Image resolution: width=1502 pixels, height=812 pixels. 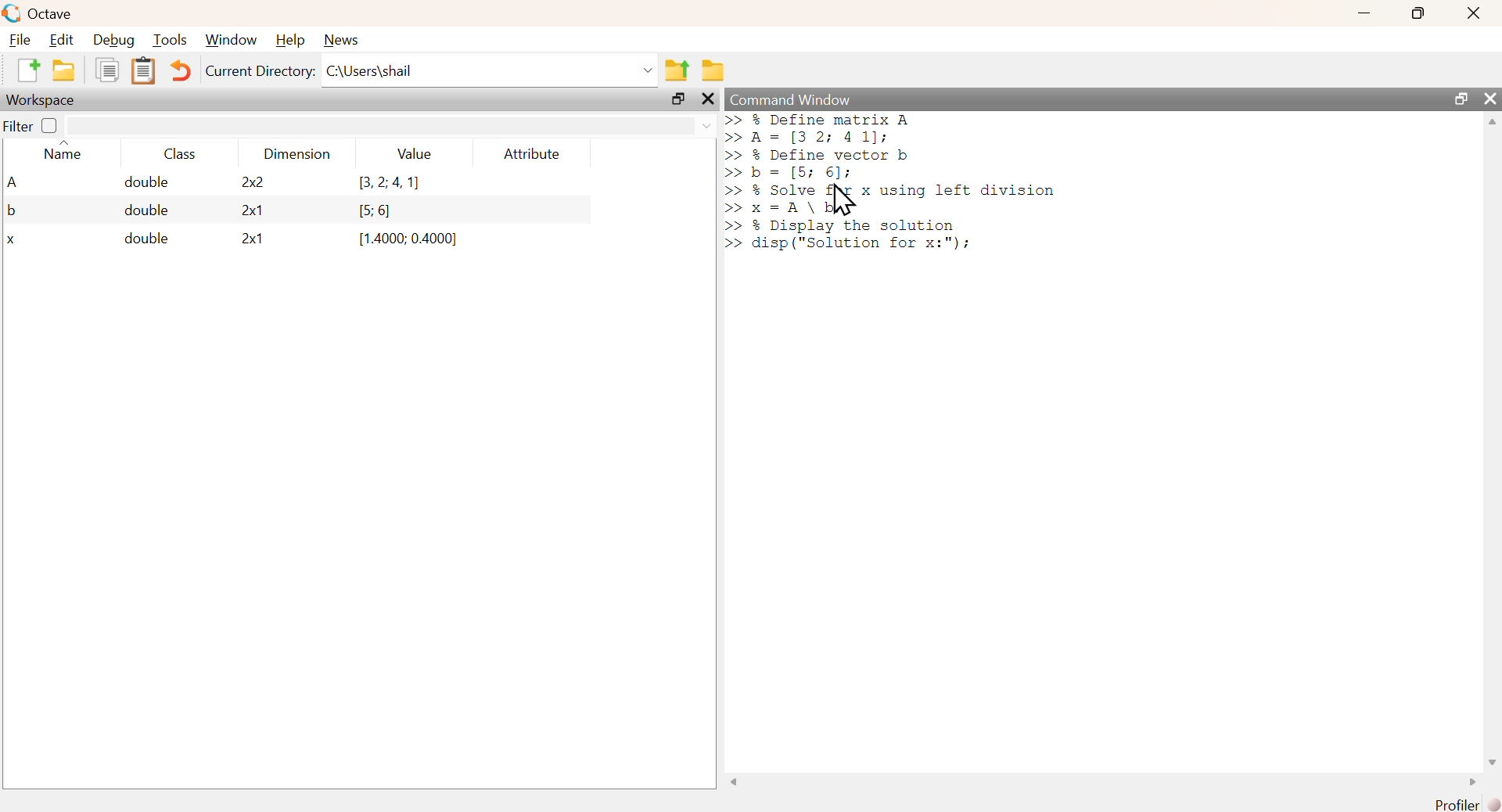 What do you see at coordinates (231, 41) in the screenshot?
I see `window` at bounding box center [231, 41].